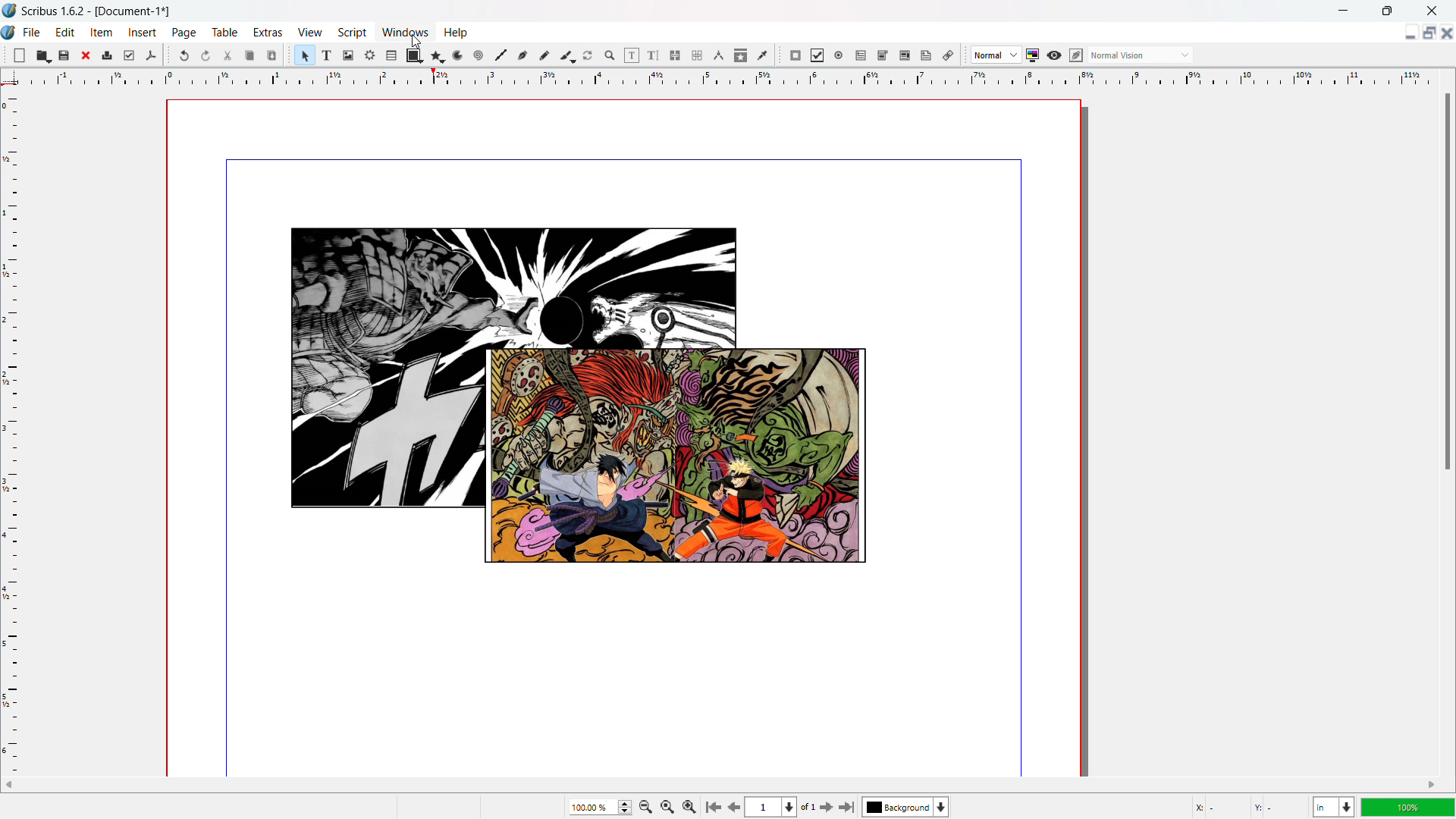  Describe the element at coordinates (168, 54) in the screenshot. I see `move toolbox` at that location.